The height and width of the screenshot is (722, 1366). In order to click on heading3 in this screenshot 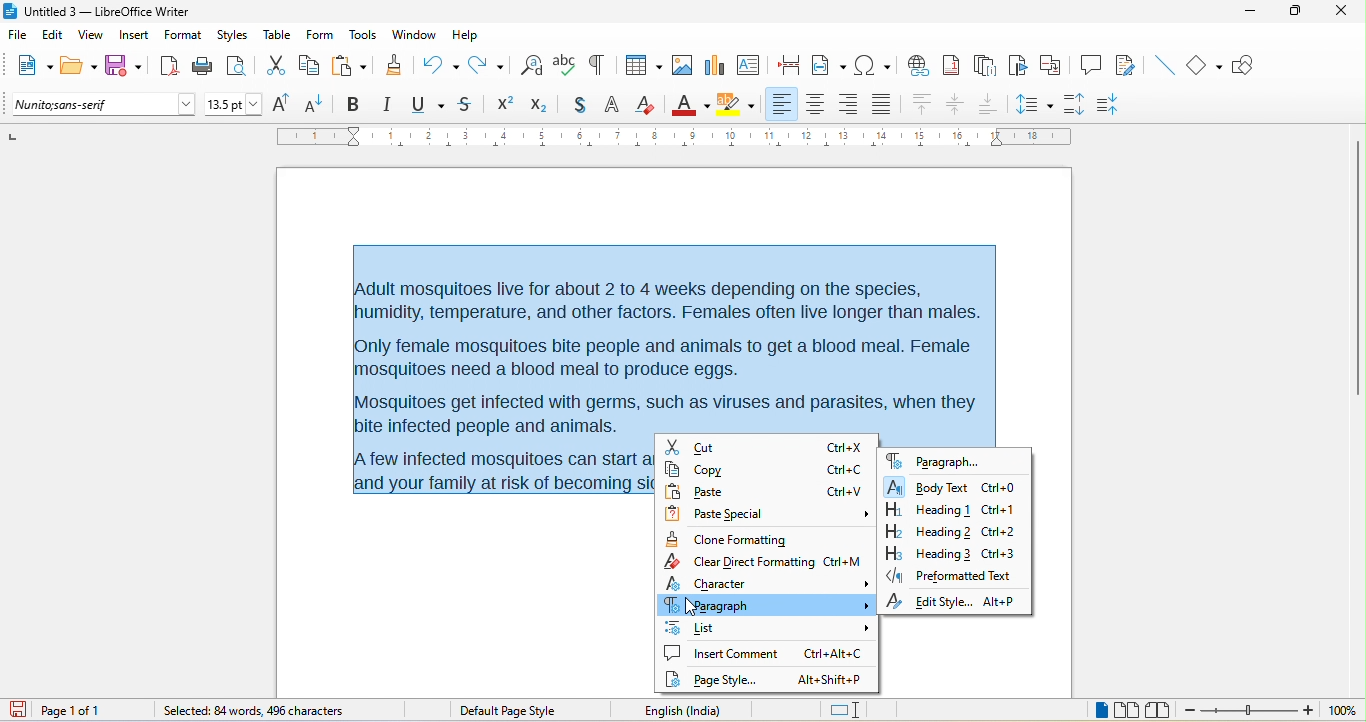, I will do `click(928, 553)`.